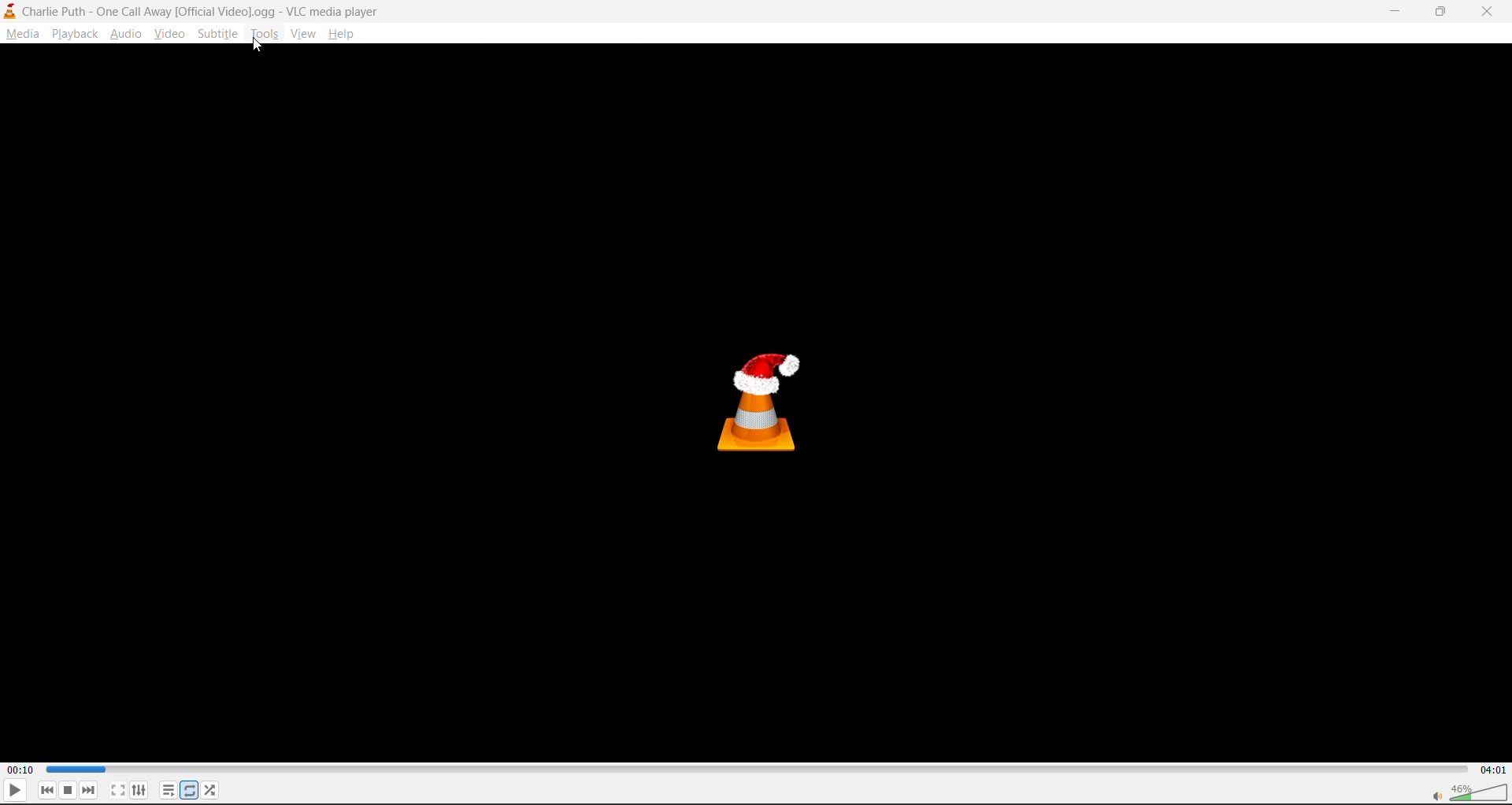  What do you see at coordinates (220, 35) in the screenshot?
I see `subtitle` at bounding box center [220, 35].